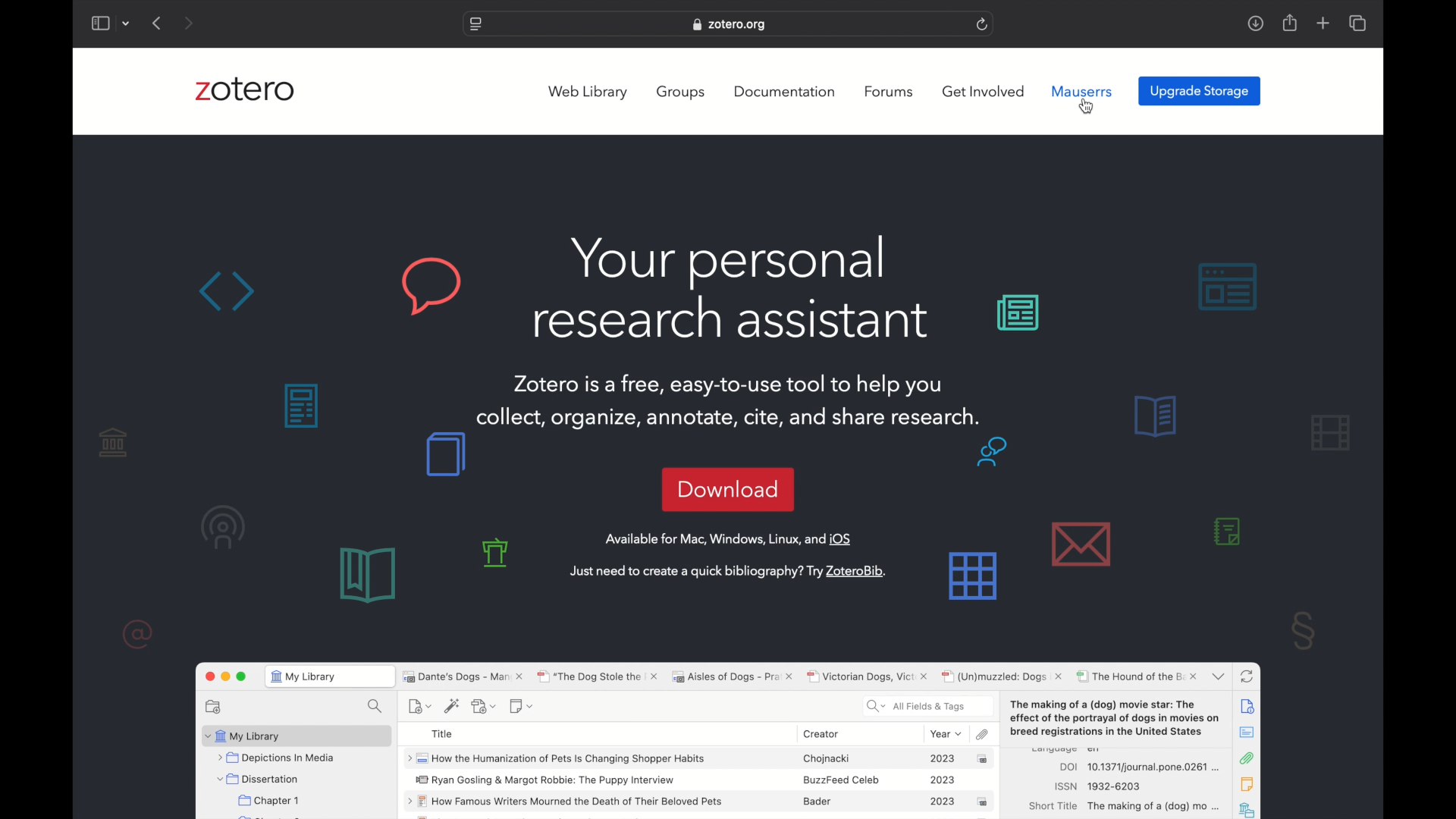 The image size is (1456, 819). I want to click on cursor, so click(1087, 108).